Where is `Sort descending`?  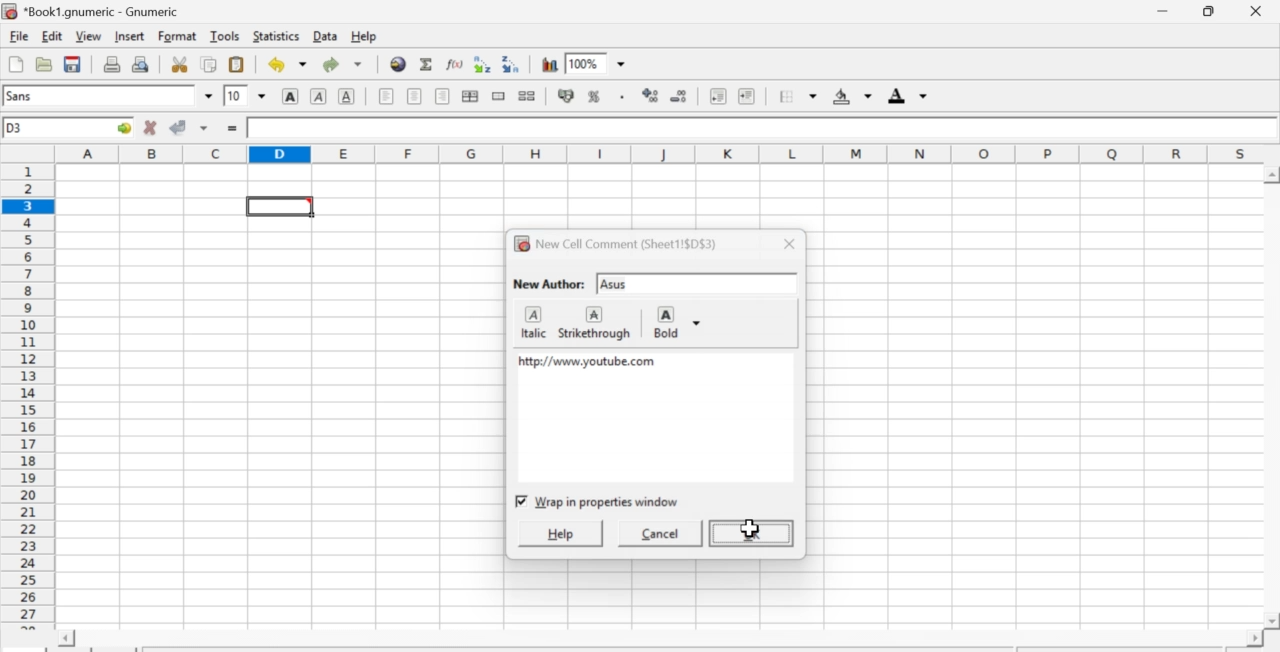 Sort descending is located at coordinates (512, 66).